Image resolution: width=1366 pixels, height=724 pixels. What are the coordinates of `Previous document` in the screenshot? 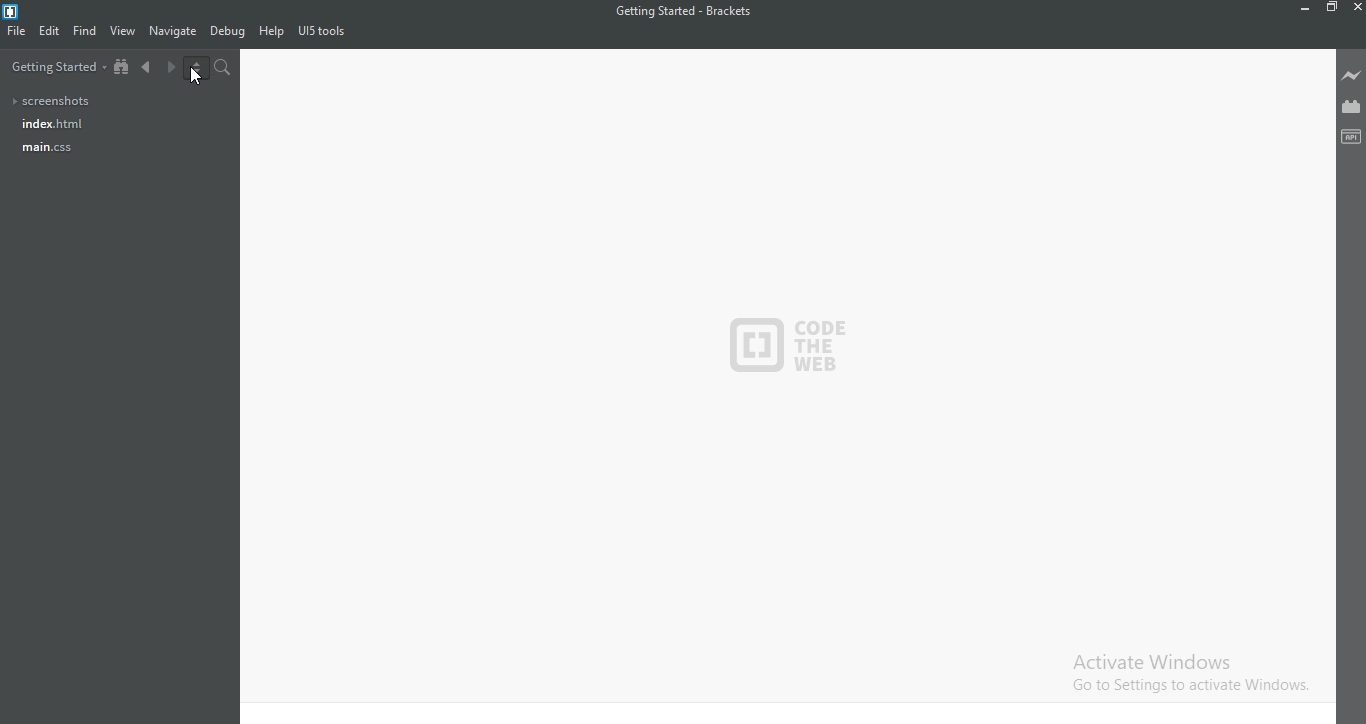 It's located at (150, 70).